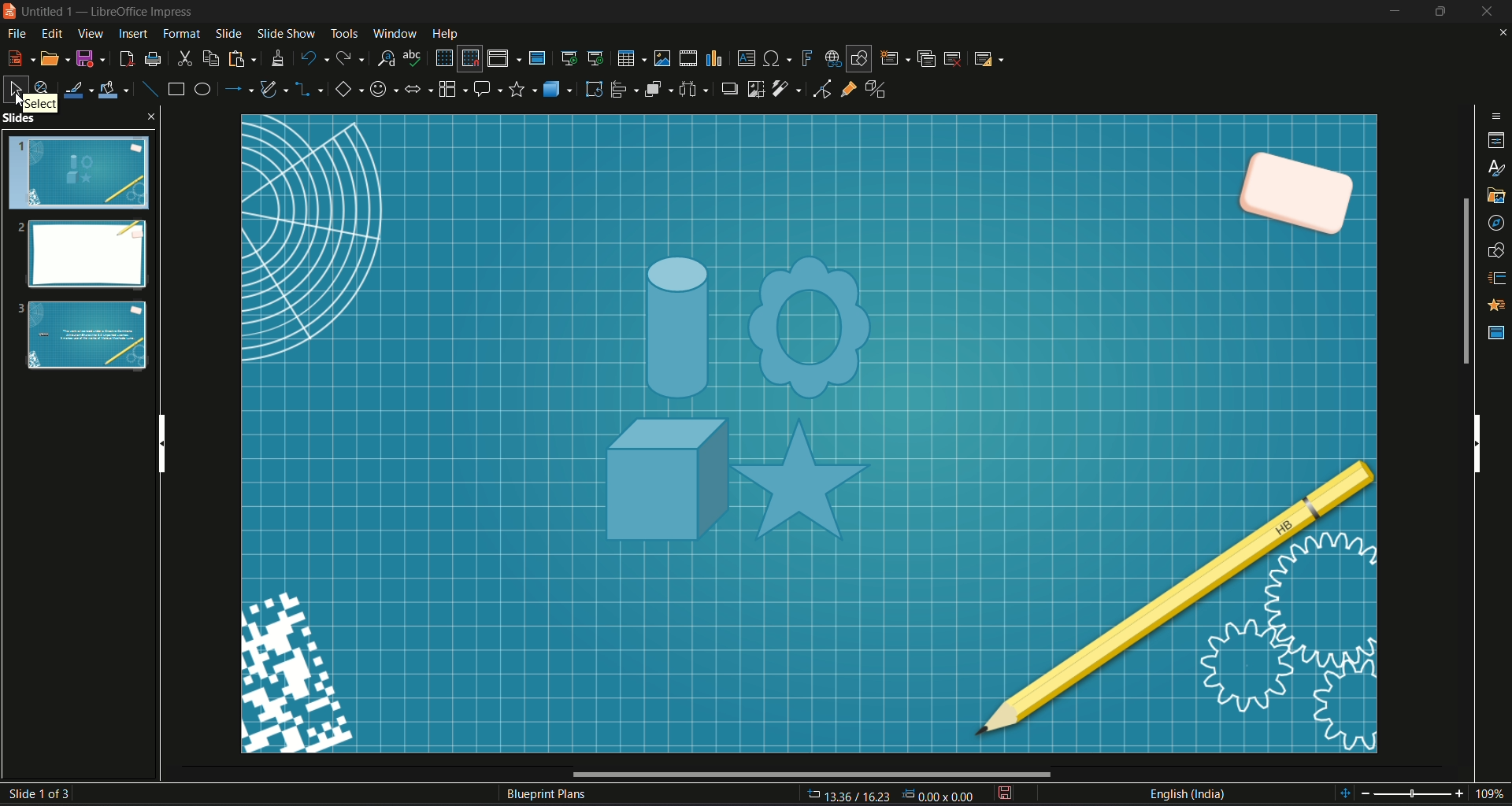  Describe the element at coordinates (880, 89) in the screenshot. I see `toggle extrusion` at that location.